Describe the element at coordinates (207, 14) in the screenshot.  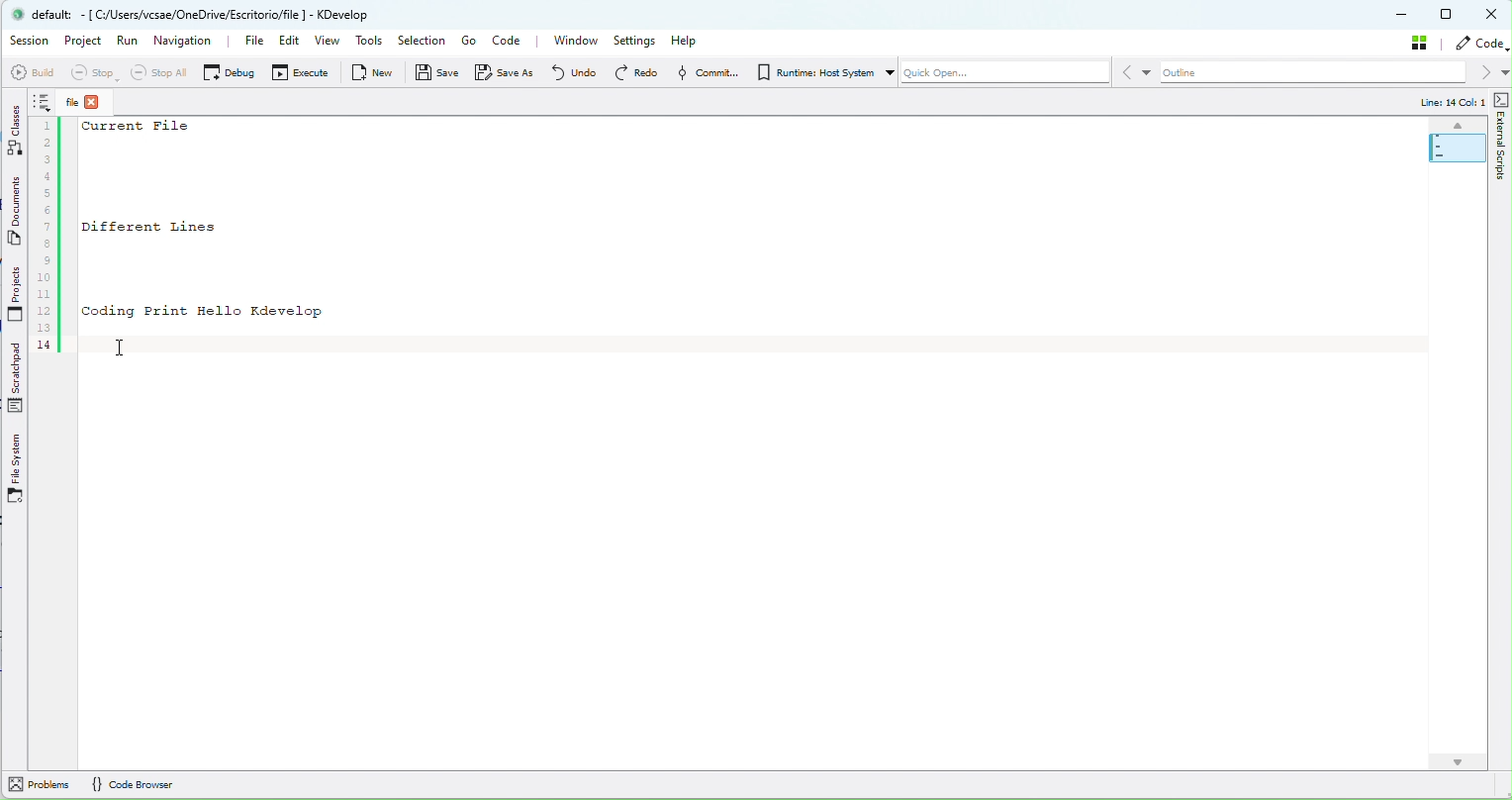
I see `default: - [ C:/Users/vcsae/OneDrive/Escritorio/file] - KDevelop (Application details)` at that location.